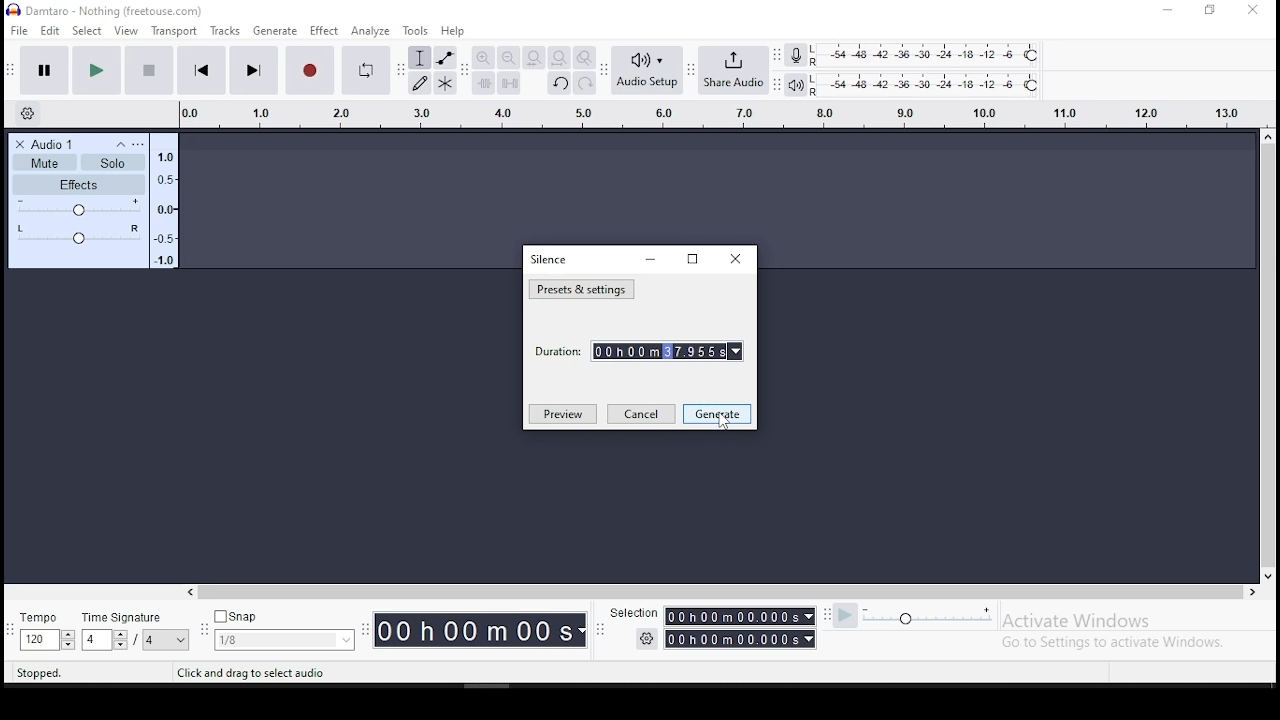  What do you see at coordinates (652, 260) in the screenshot?
I see `minimize` at bounding box center [652, 260].